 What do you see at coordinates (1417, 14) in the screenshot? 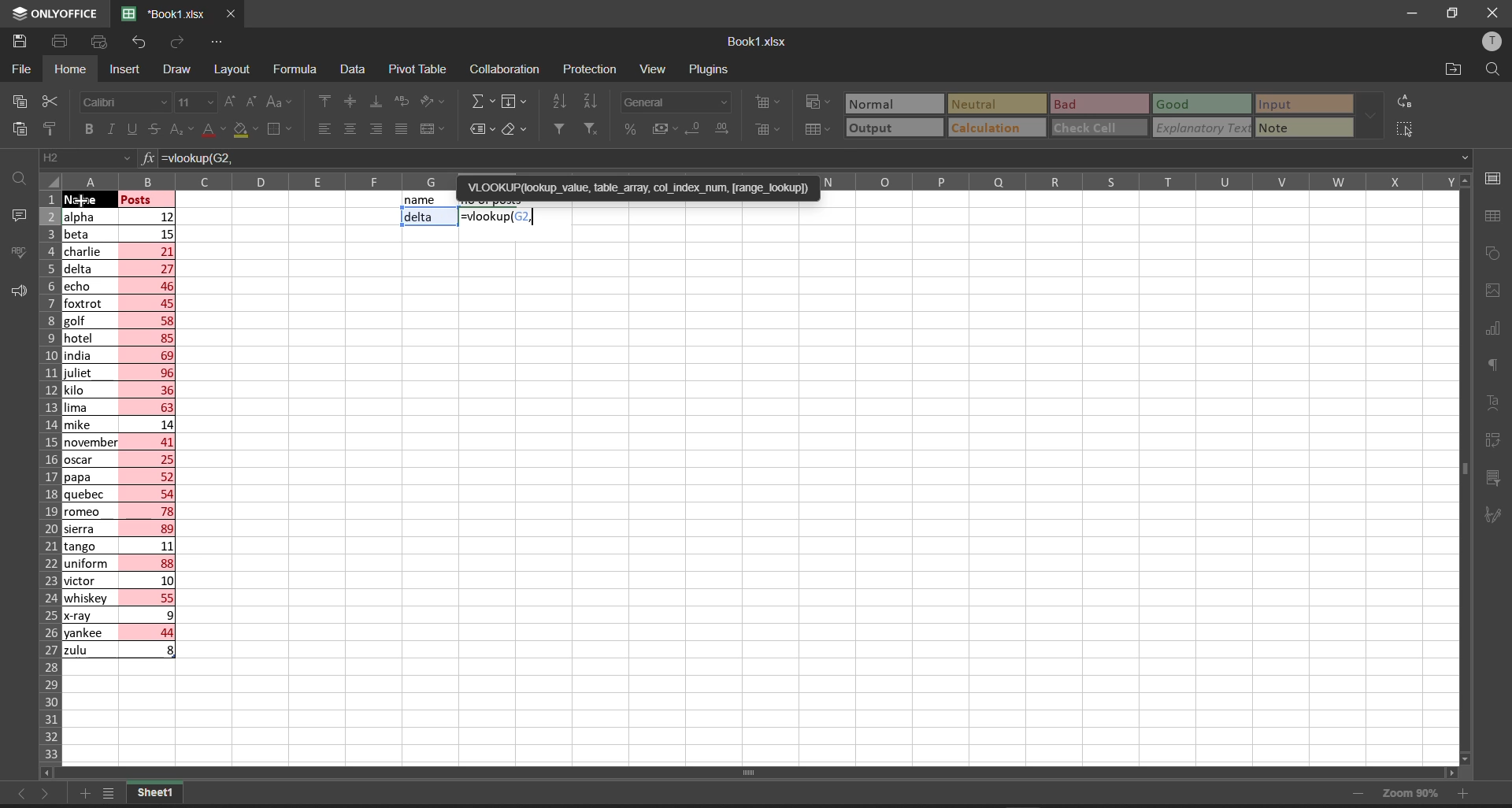
I see `minimize` at bounding box center [1417, 14].